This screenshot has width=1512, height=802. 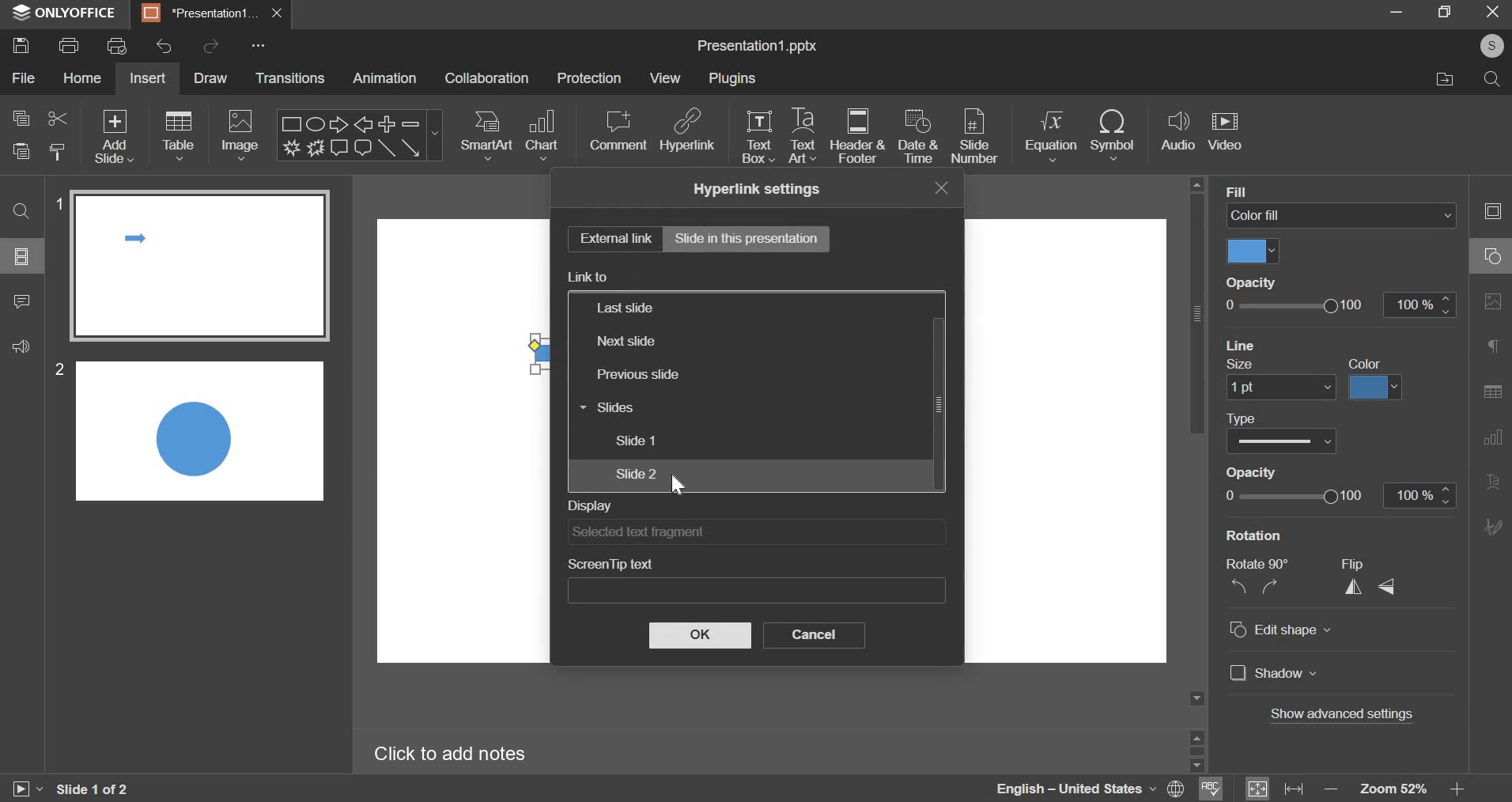 What do you see at coordinates (339, 124) in the screenshot?
I see `Right arrow` at bounding box center [339, 124].